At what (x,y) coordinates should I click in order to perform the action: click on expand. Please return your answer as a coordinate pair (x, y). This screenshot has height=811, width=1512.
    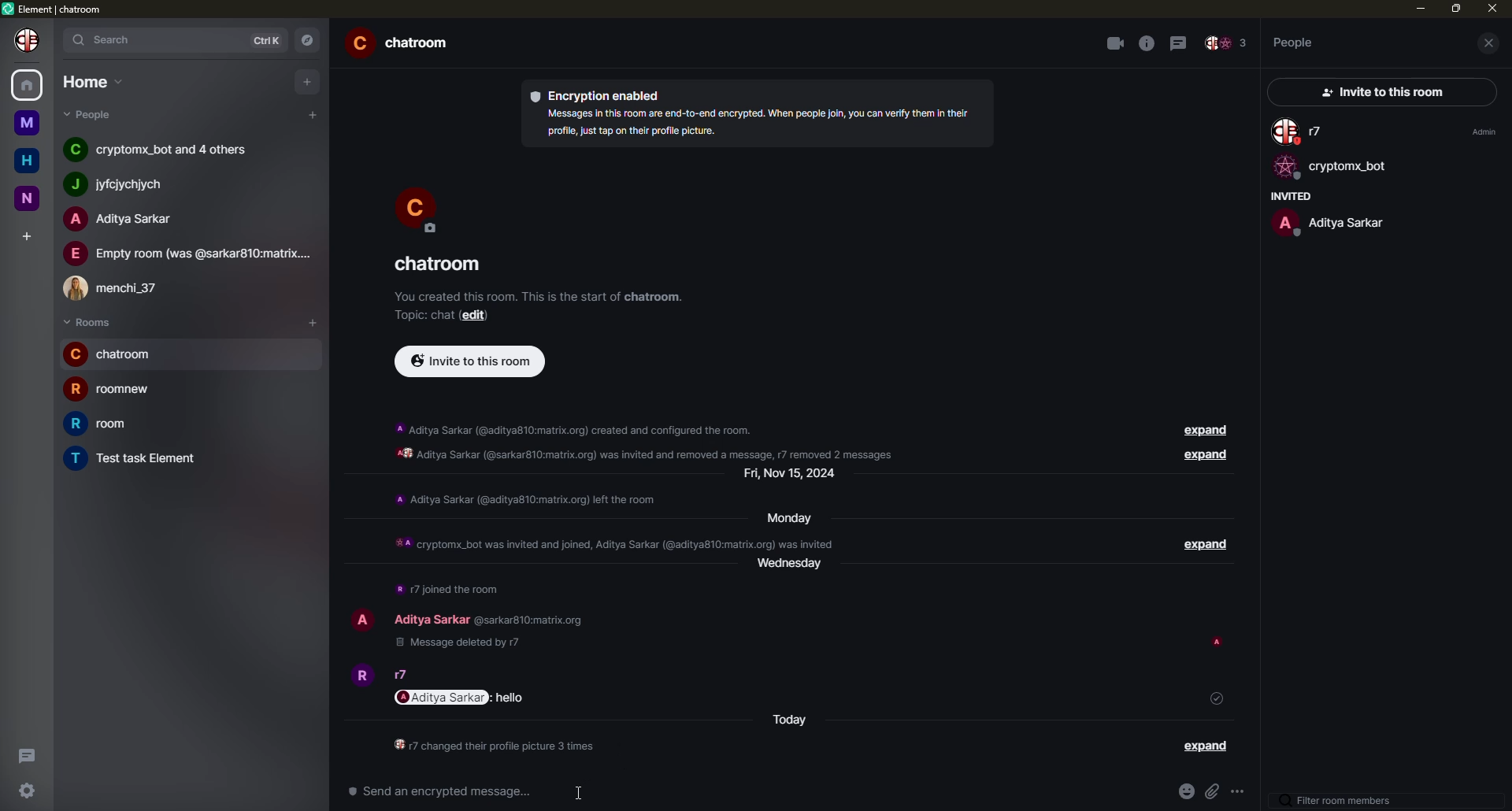
    Looking at the image, I should click on (1200, 457).